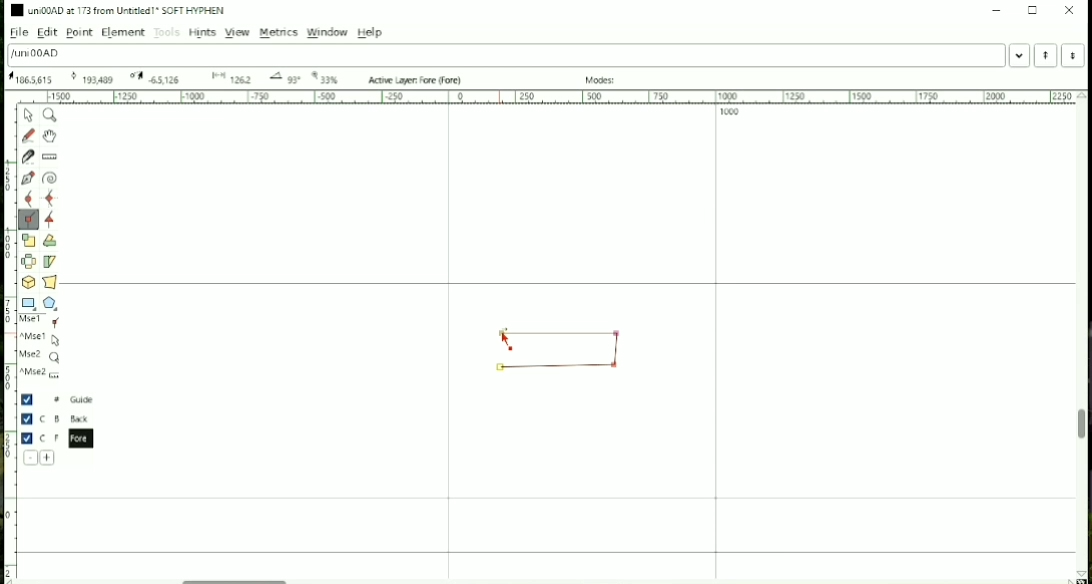 The width and height of the screenshot is (1092, 584). Describe the element at coordinates (730, 113) in the screenshot. I see `1000` at that location.